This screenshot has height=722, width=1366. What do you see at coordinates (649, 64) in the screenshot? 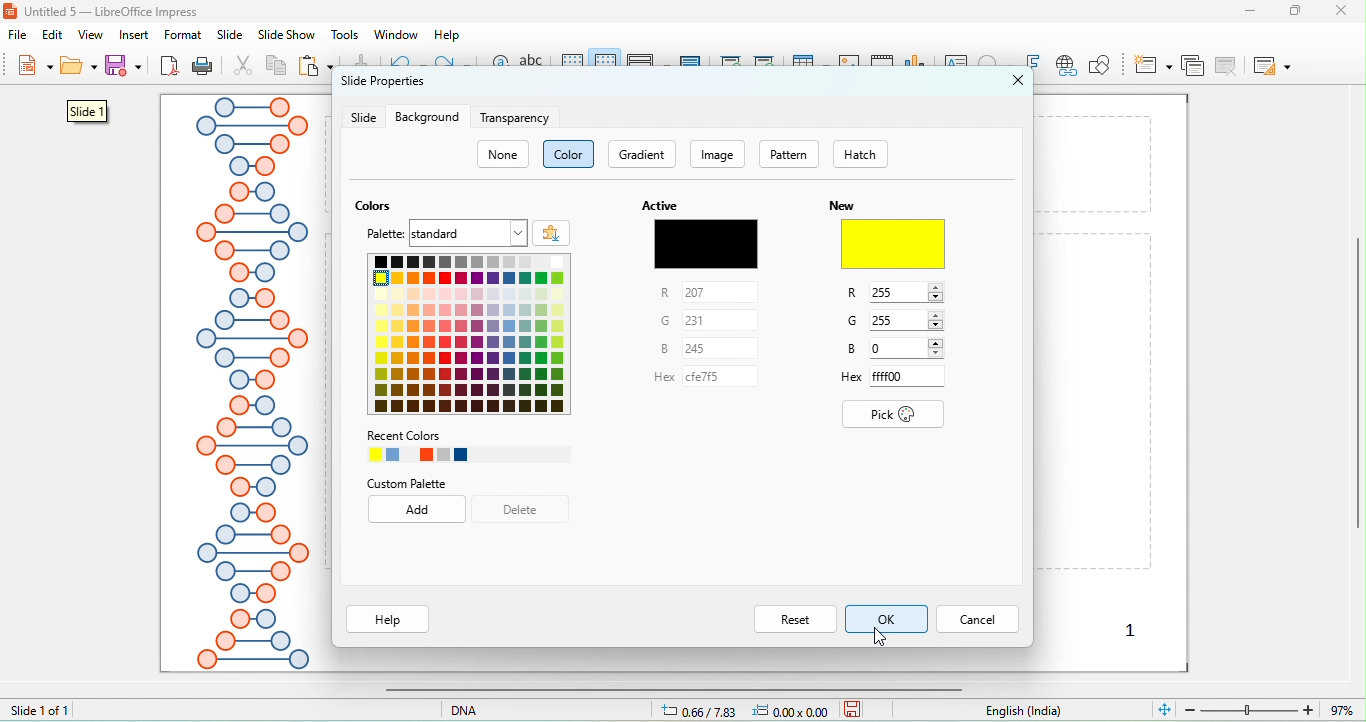
I see `display views` at bounding box center [649, 64].